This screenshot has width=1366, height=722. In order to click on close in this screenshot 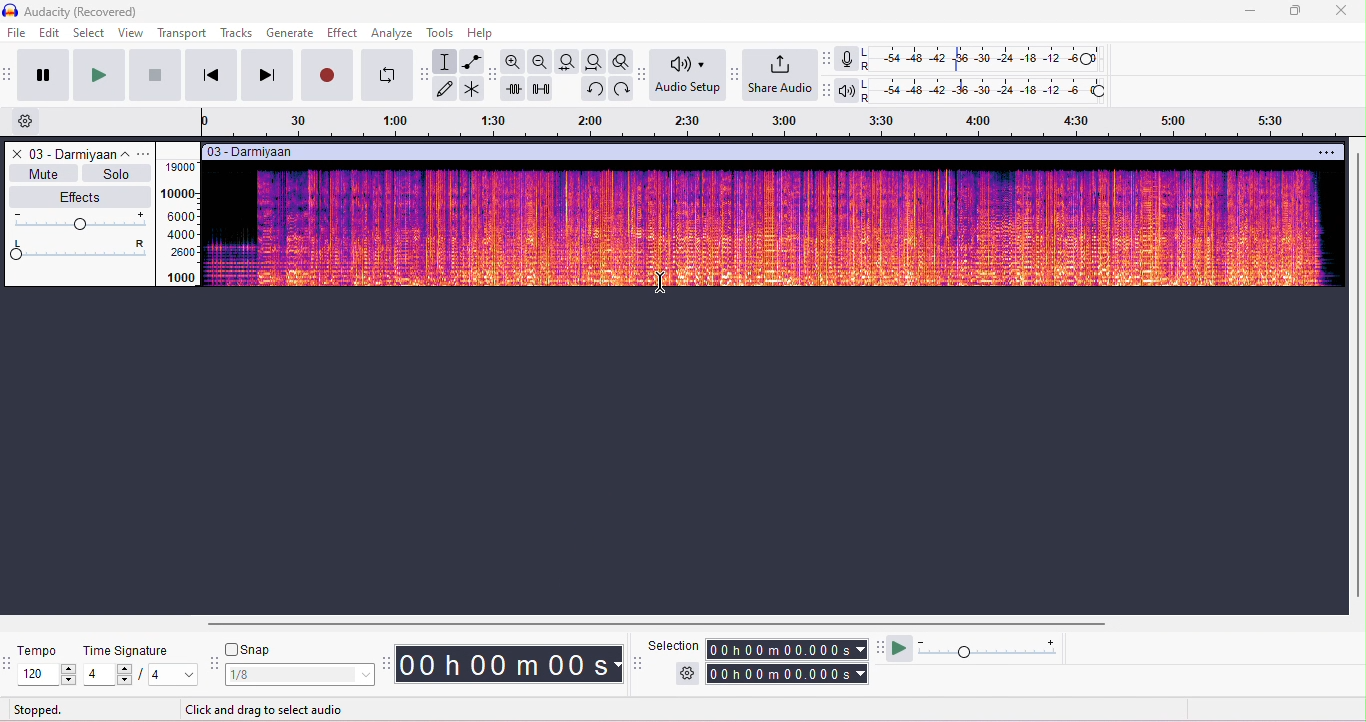, I will do `click(15, 153)`.